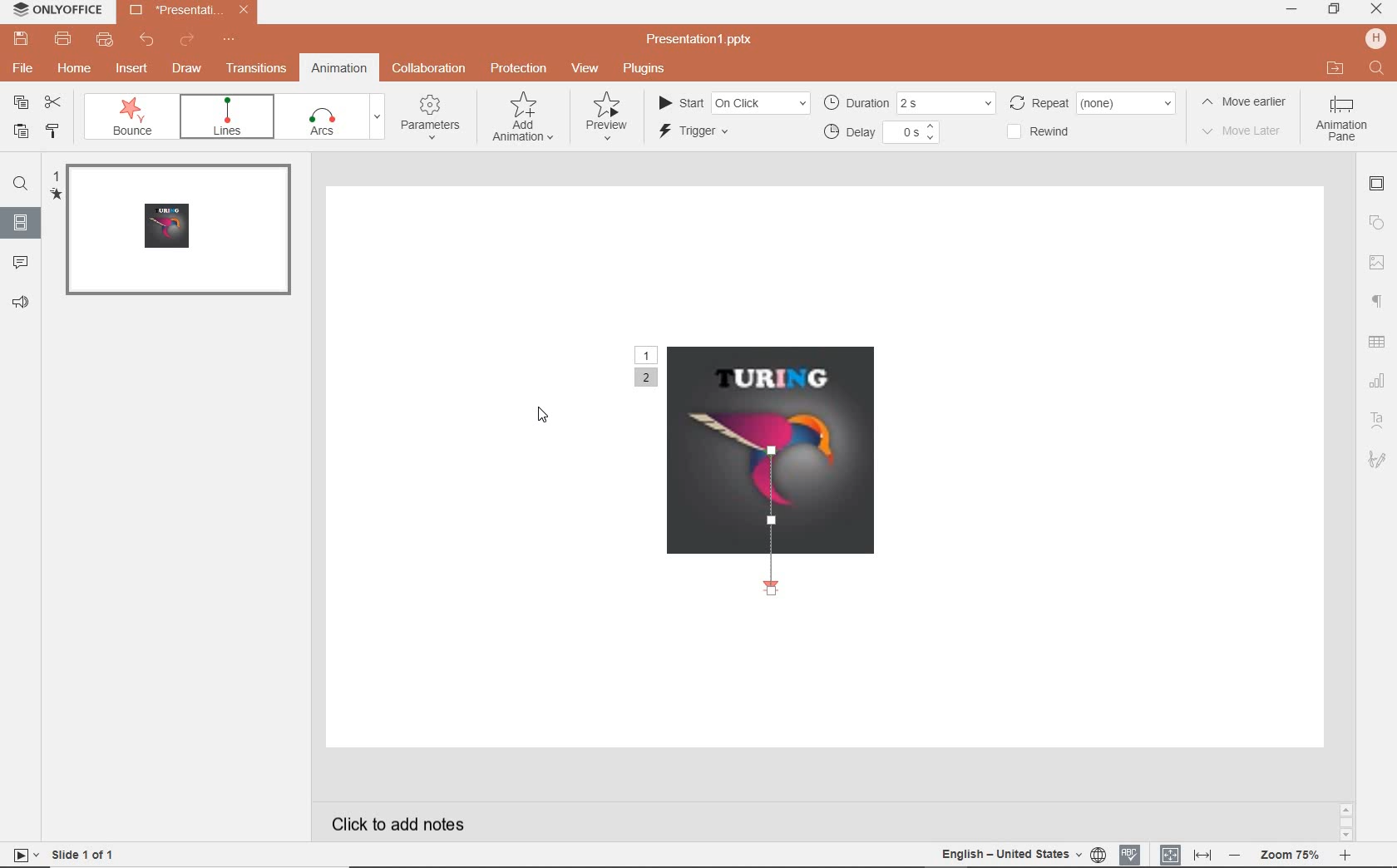 The image size is (1397, 868). I want to click on add animation, so click(526, 119).